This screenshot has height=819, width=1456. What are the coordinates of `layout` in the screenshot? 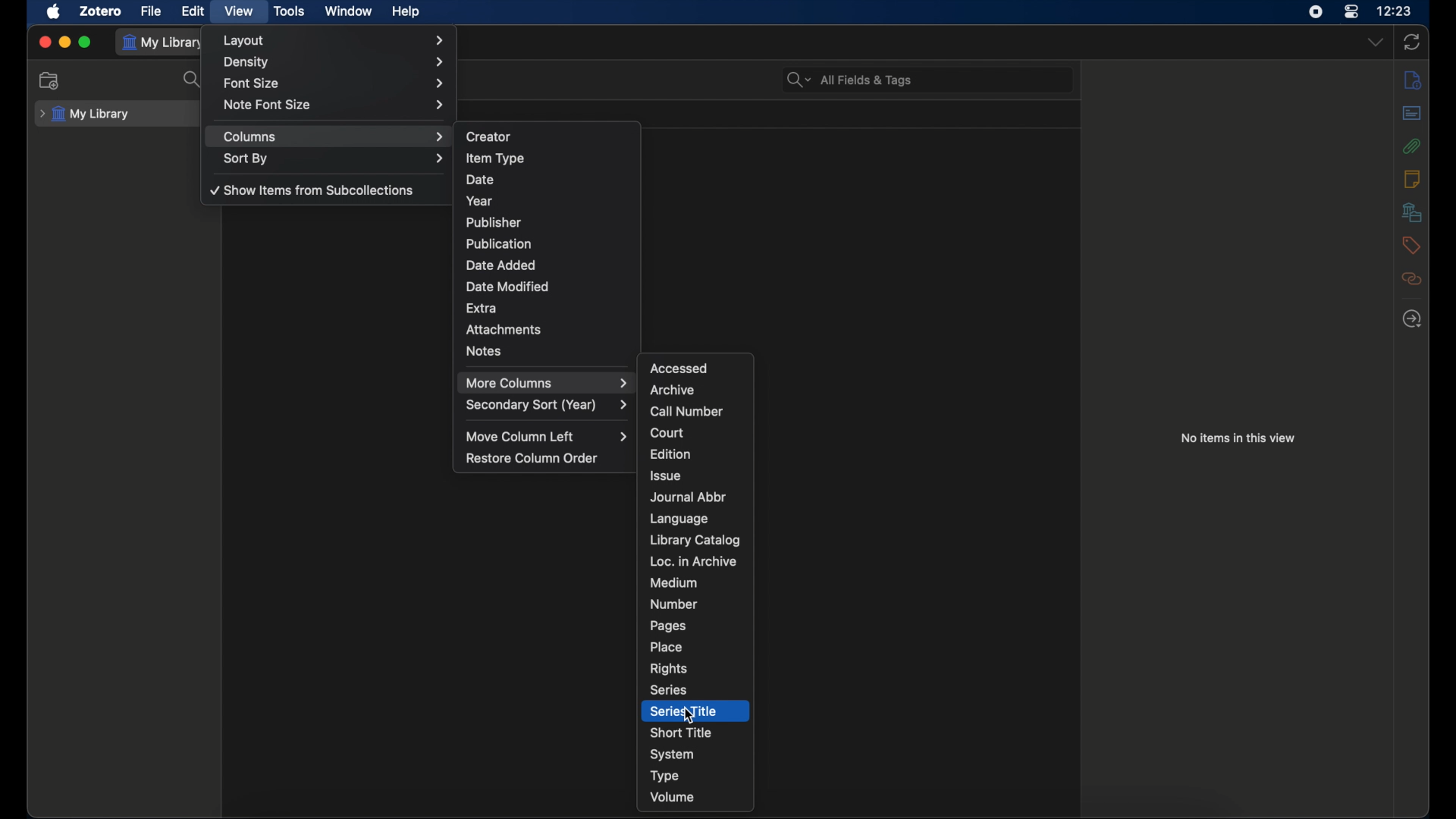 It's located at (335, 40).